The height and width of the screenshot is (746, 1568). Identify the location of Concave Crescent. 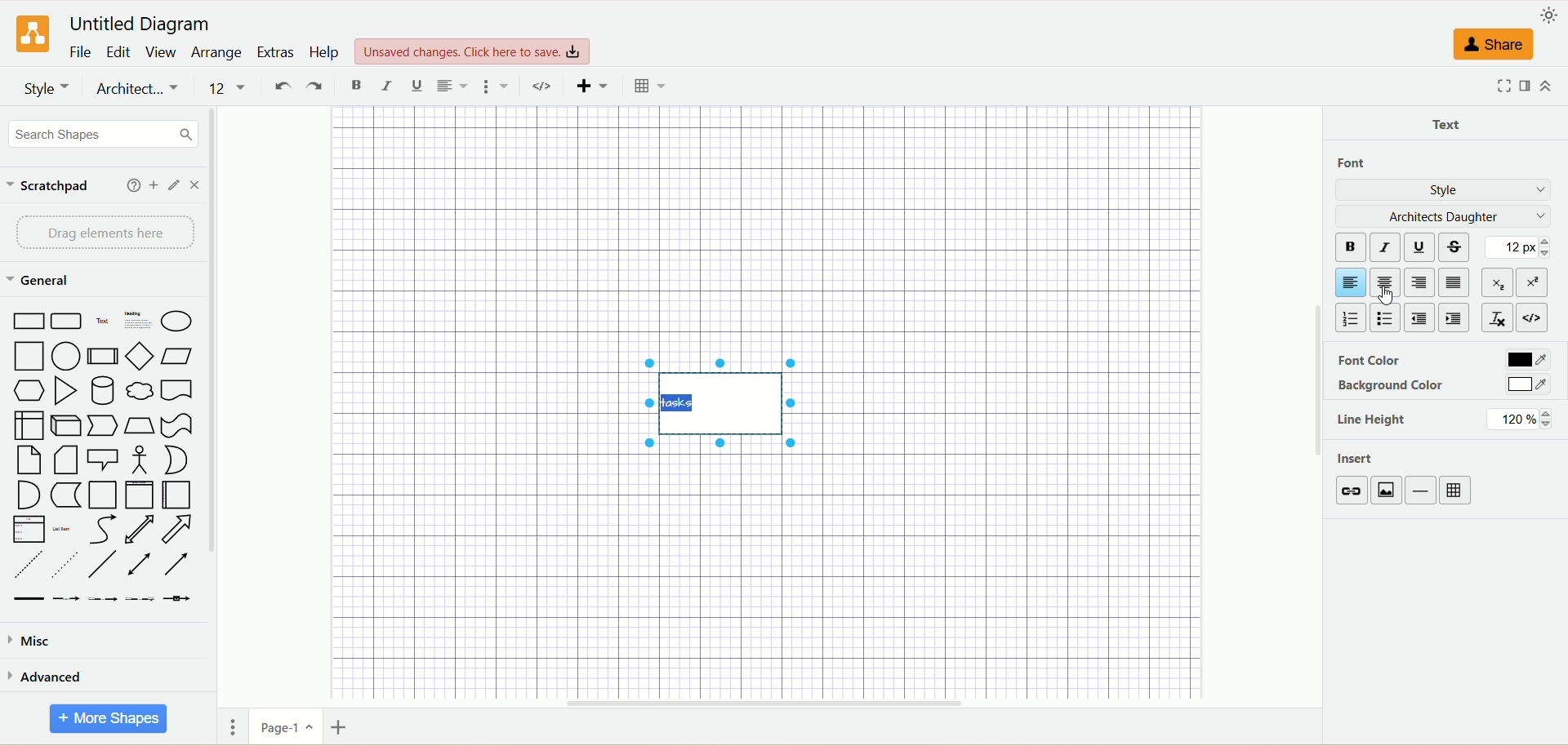
(175, 460).